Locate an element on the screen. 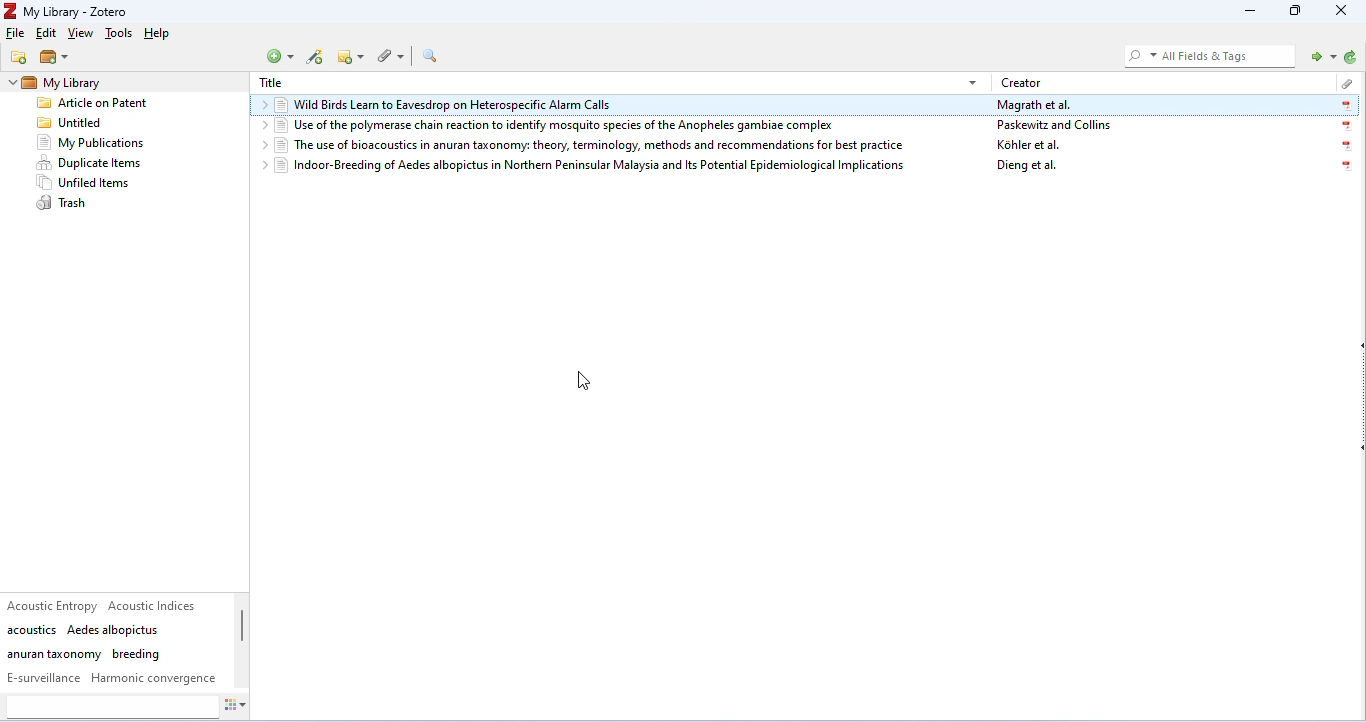 This screenshot has height=722, width=1366. Indoor-Breeding of Aedes albopictus in Northern Peninsular Malaysia and Its Potential Epidemiological Implications is located at coordinates (591, 167).